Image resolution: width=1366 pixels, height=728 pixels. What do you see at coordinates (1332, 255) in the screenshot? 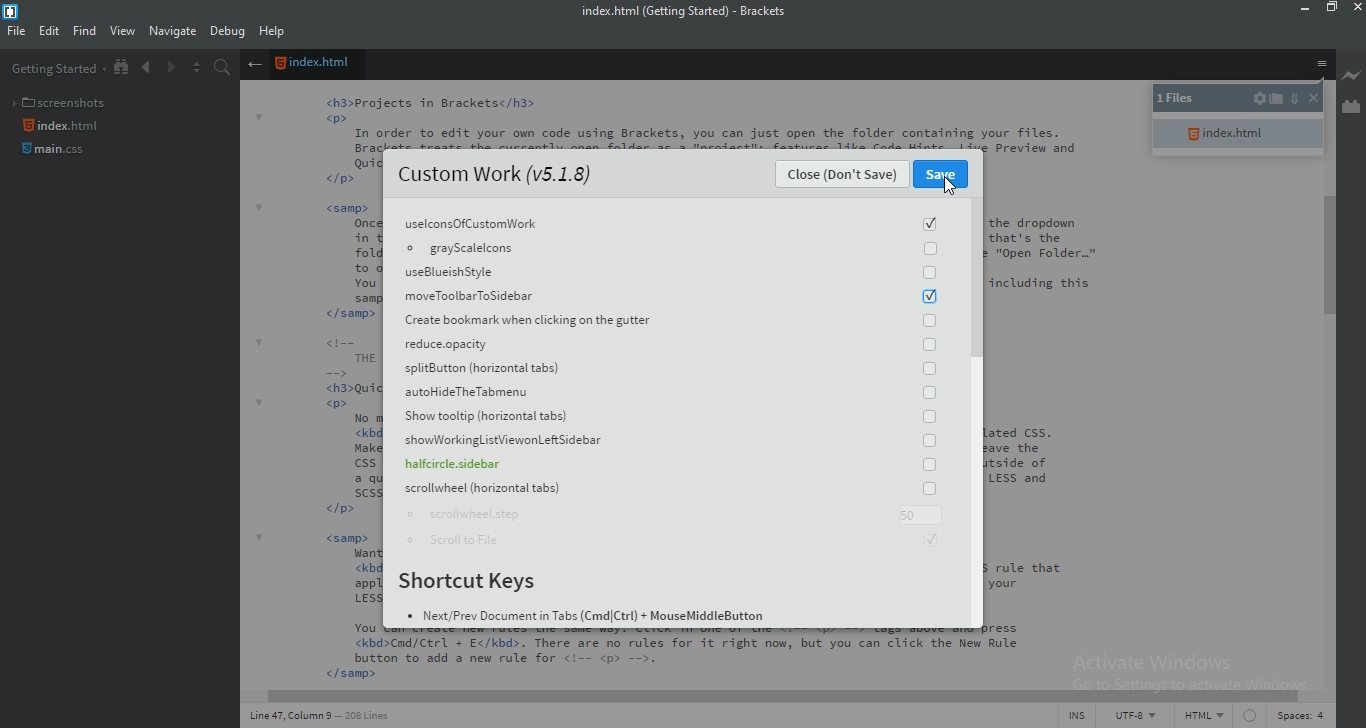
I see `scroll bar` at bounding box center [1332, 255].